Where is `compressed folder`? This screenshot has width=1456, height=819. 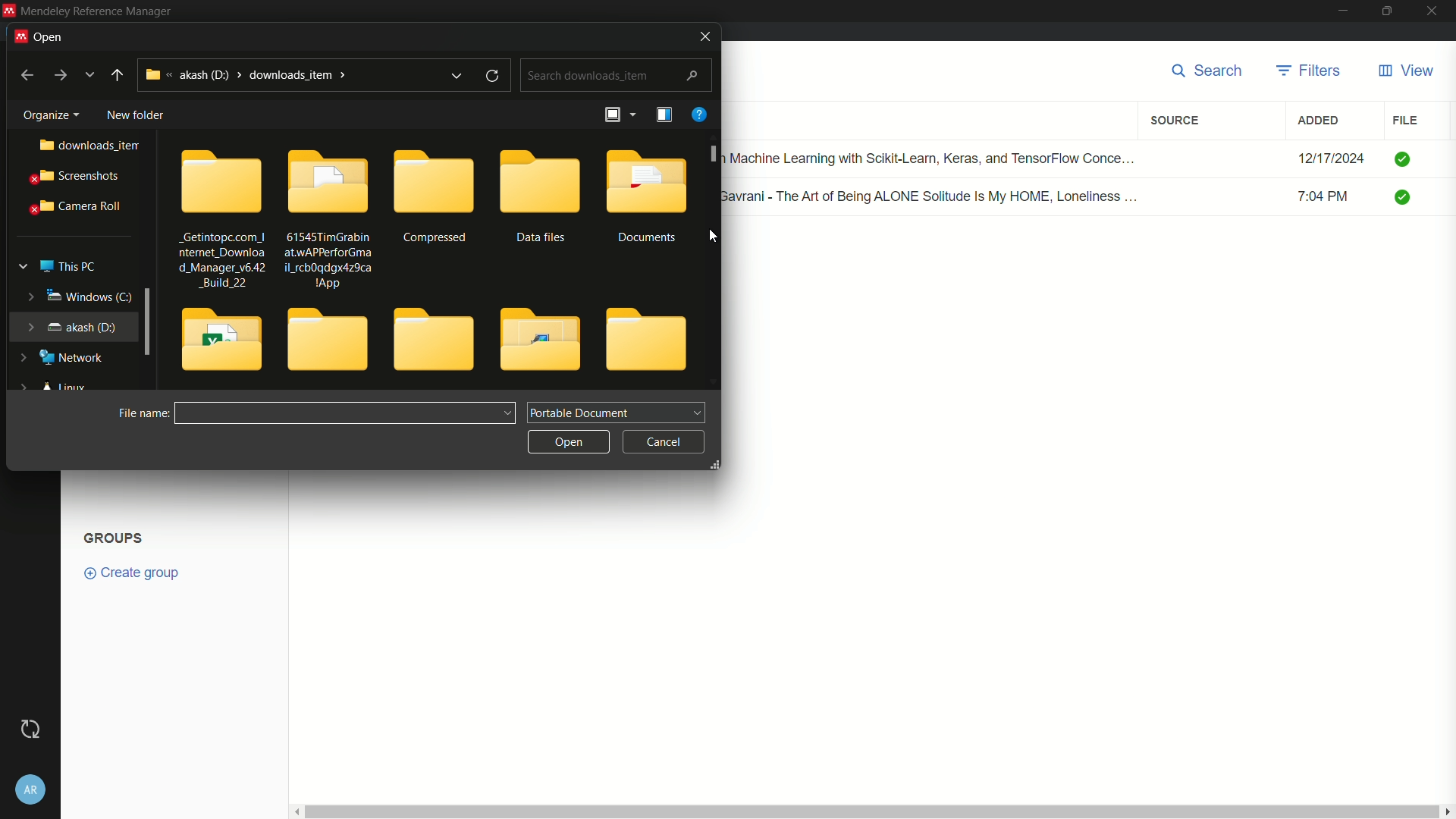 compressed folder is located at coordinates (434, 193).